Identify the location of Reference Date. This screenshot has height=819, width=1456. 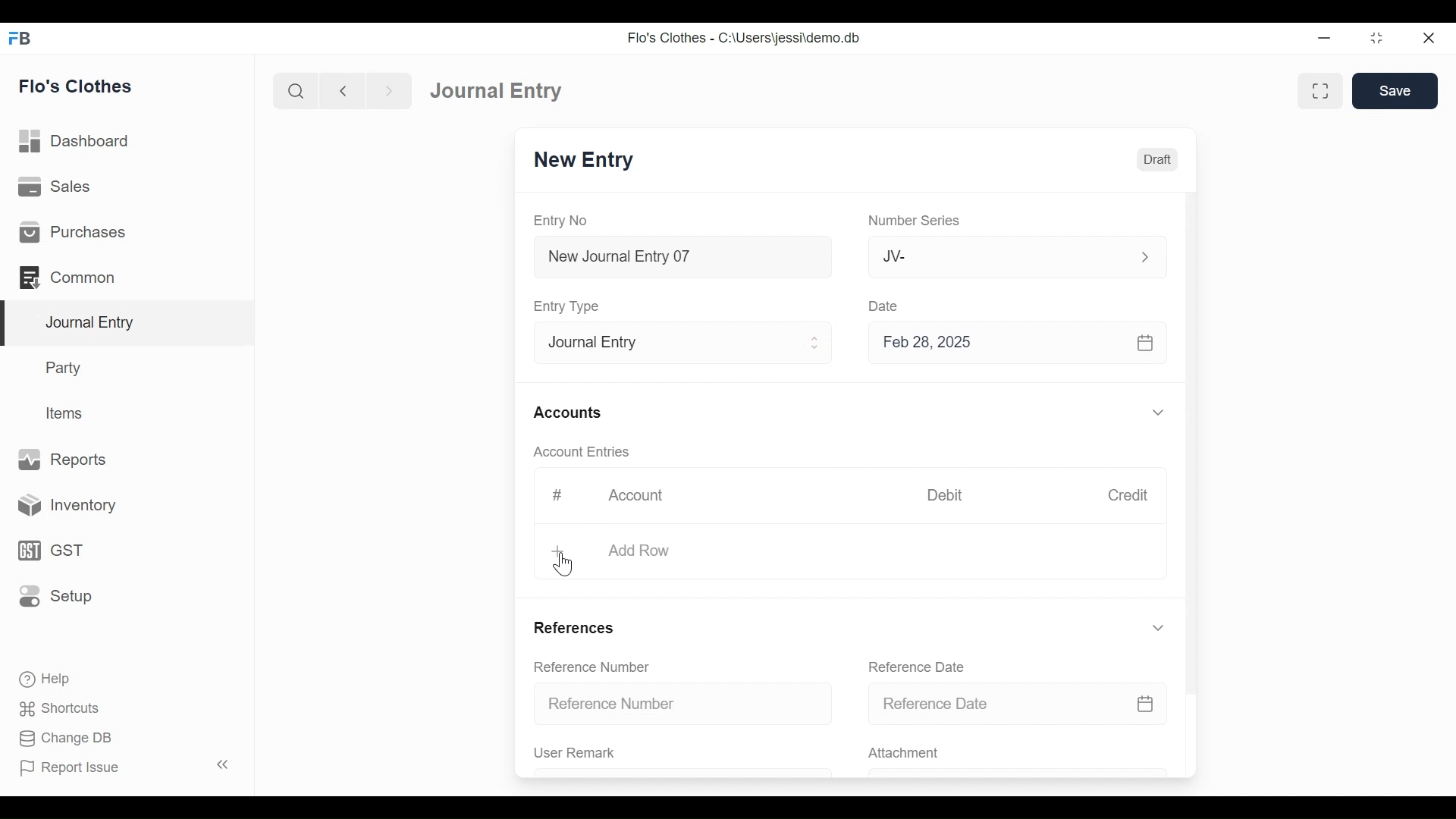
(1013, 704).